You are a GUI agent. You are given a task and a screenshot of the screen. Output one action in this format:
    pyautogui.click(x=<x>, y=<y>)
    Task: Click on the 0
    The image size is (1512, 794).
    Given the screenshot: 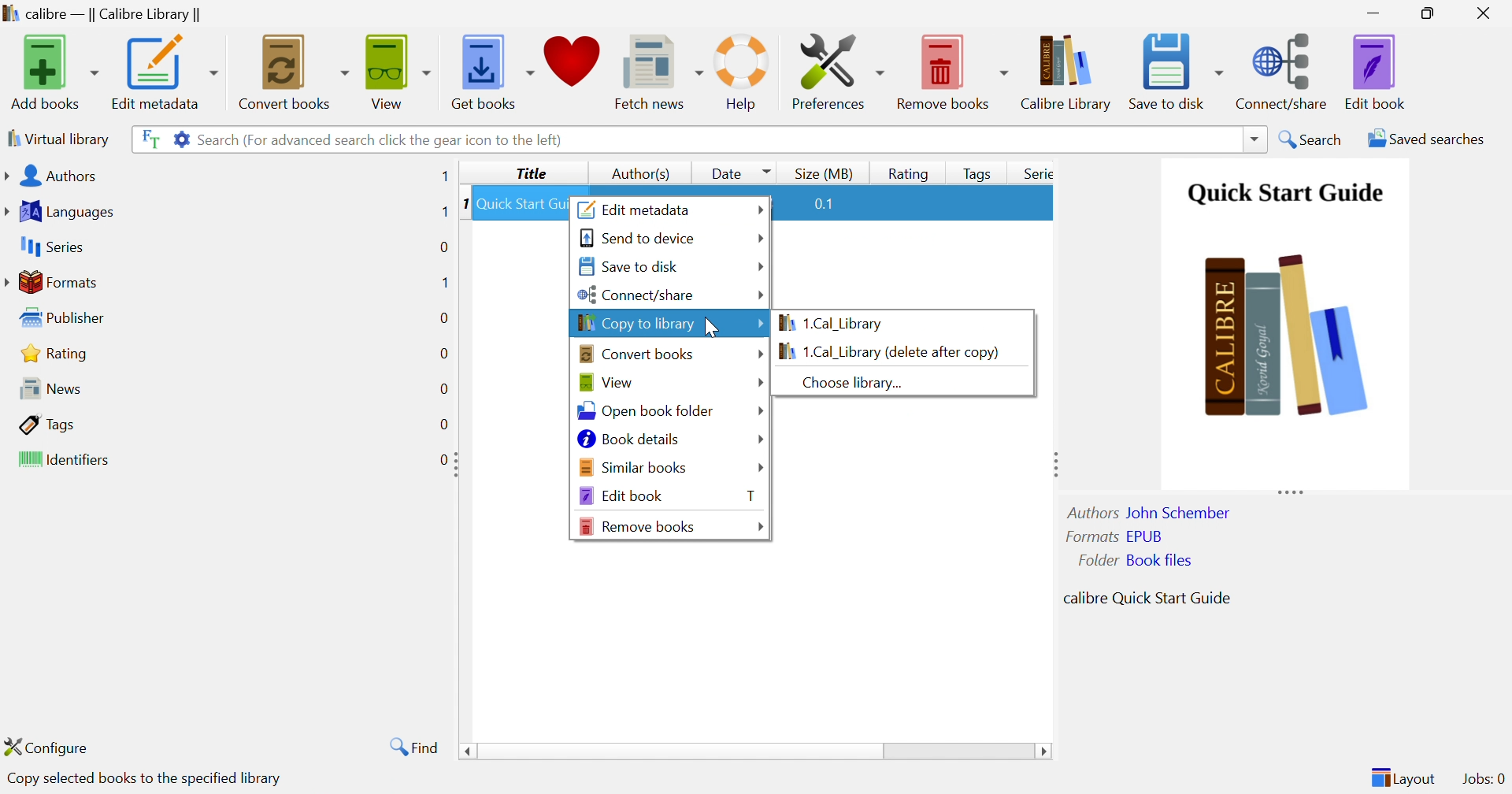 What is the action you would take?
    pyautogui.click(x=437, y=460)
    